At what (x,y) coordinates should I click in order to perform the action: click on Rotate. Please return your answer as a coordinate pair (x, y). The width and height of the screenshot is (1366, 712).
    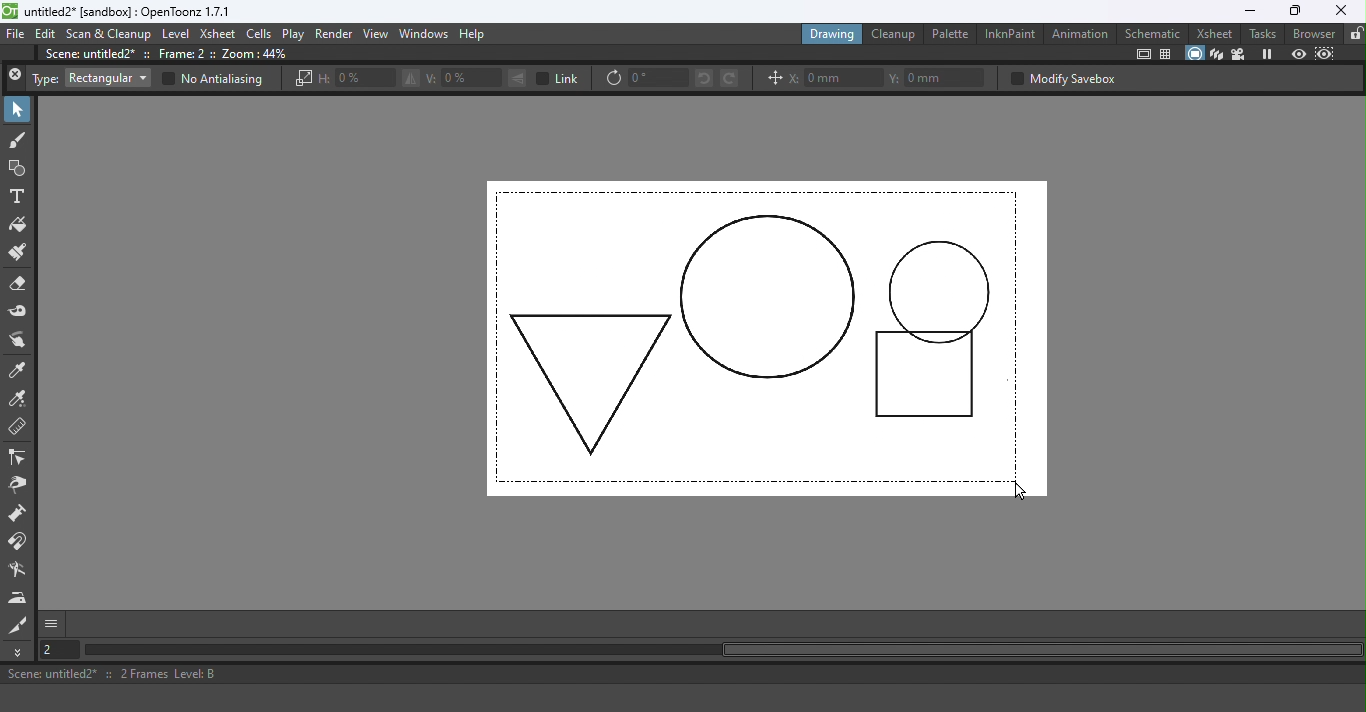
    Looking at the image, I should click on (613, 79).